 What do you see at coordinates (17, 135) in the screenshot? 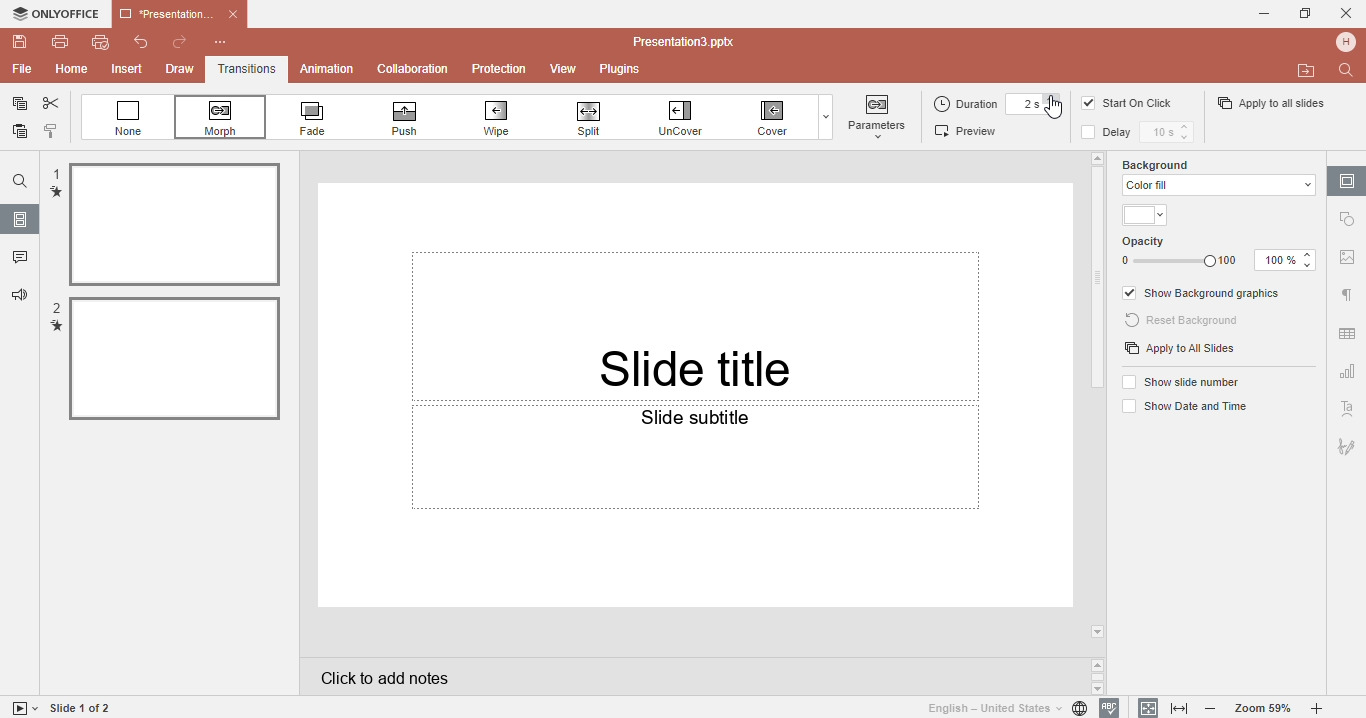
I see `Paste` at bounding box center [17, 135].